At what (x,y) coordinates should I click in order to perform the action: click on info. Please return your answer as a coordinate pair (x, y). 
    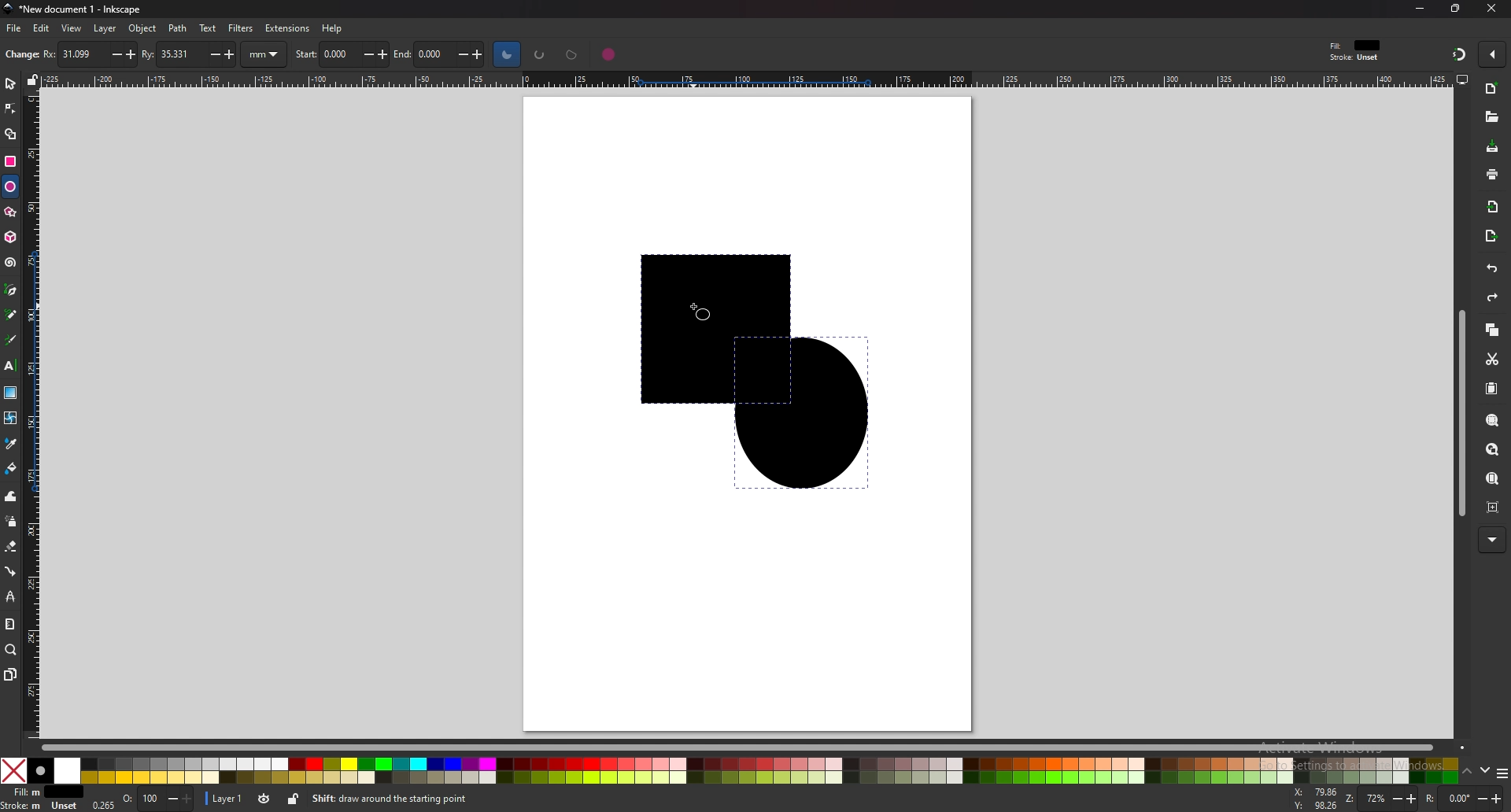
    Looking at the image, I should click on (460, 799).